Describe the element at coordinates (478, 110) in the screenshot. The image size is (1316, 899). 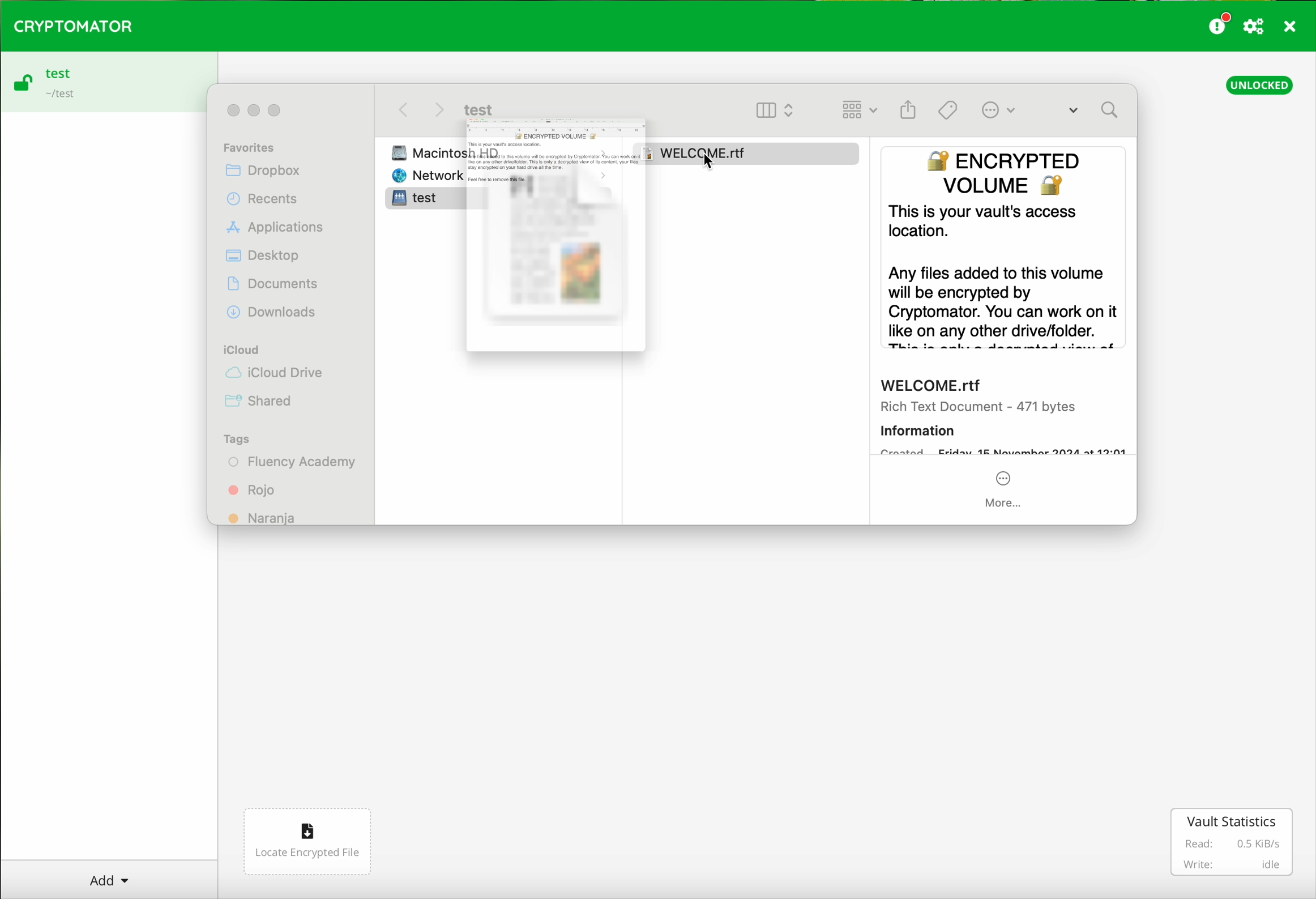
I see `test` at that location.